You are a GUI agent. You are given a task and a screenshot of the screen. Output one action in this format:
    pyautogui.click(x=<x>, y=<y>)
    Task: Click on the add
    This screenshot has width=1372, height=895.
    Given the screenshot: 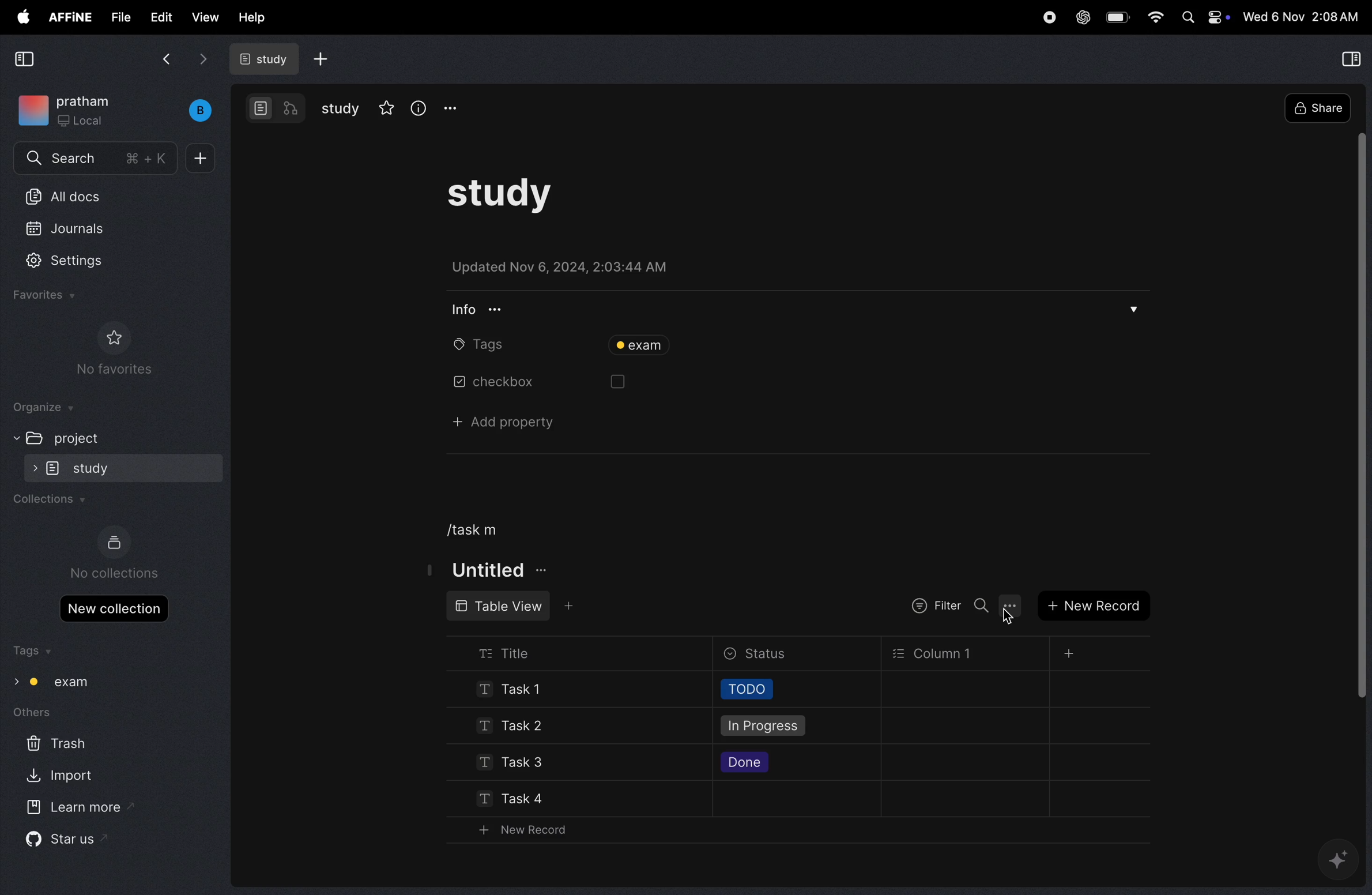 What is the action you would take?
    pyautogui.click(x=322, y=59)
    